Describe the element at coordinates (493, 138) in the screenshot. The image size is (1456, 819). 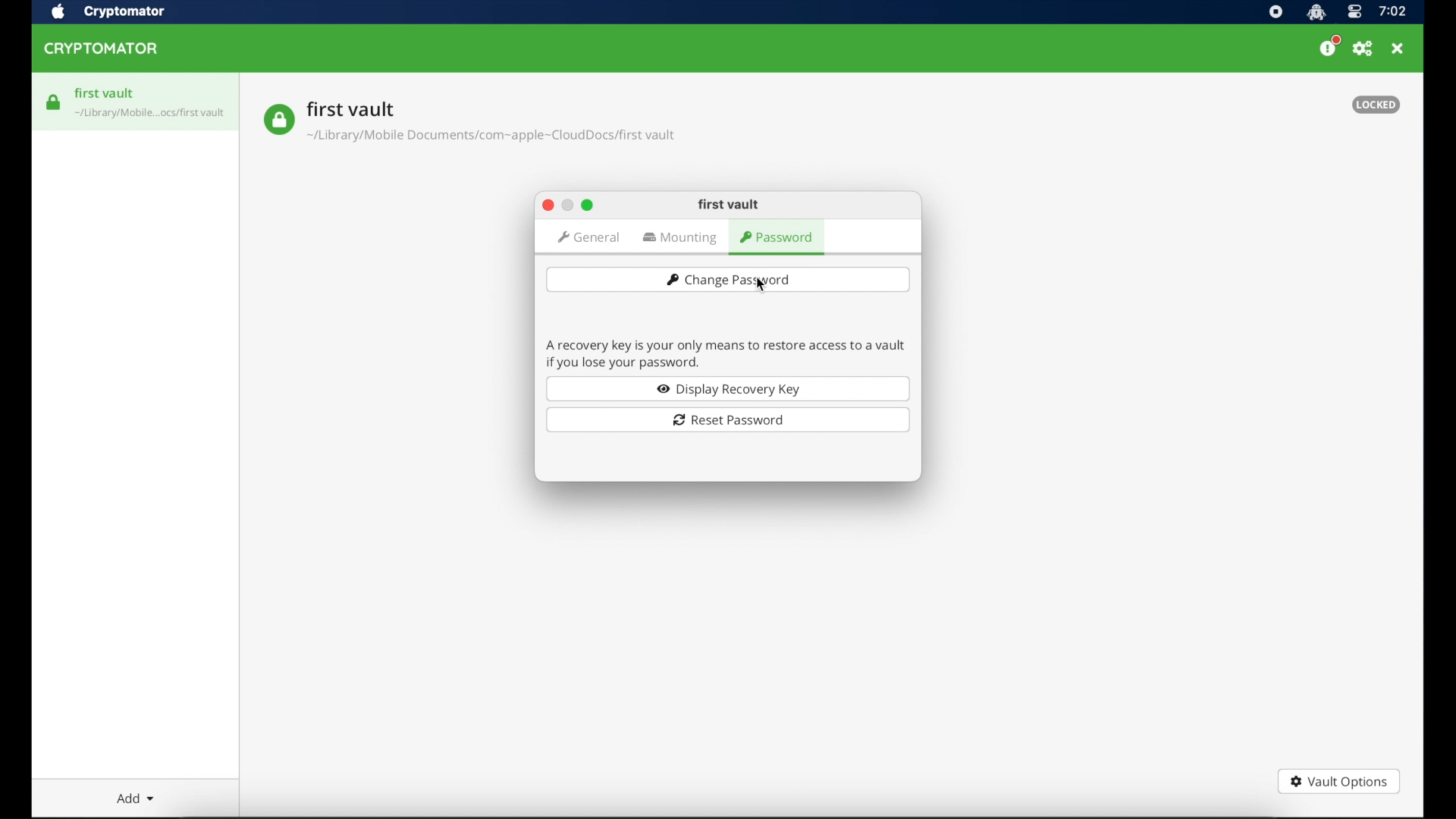
I see `vault location` at that location.